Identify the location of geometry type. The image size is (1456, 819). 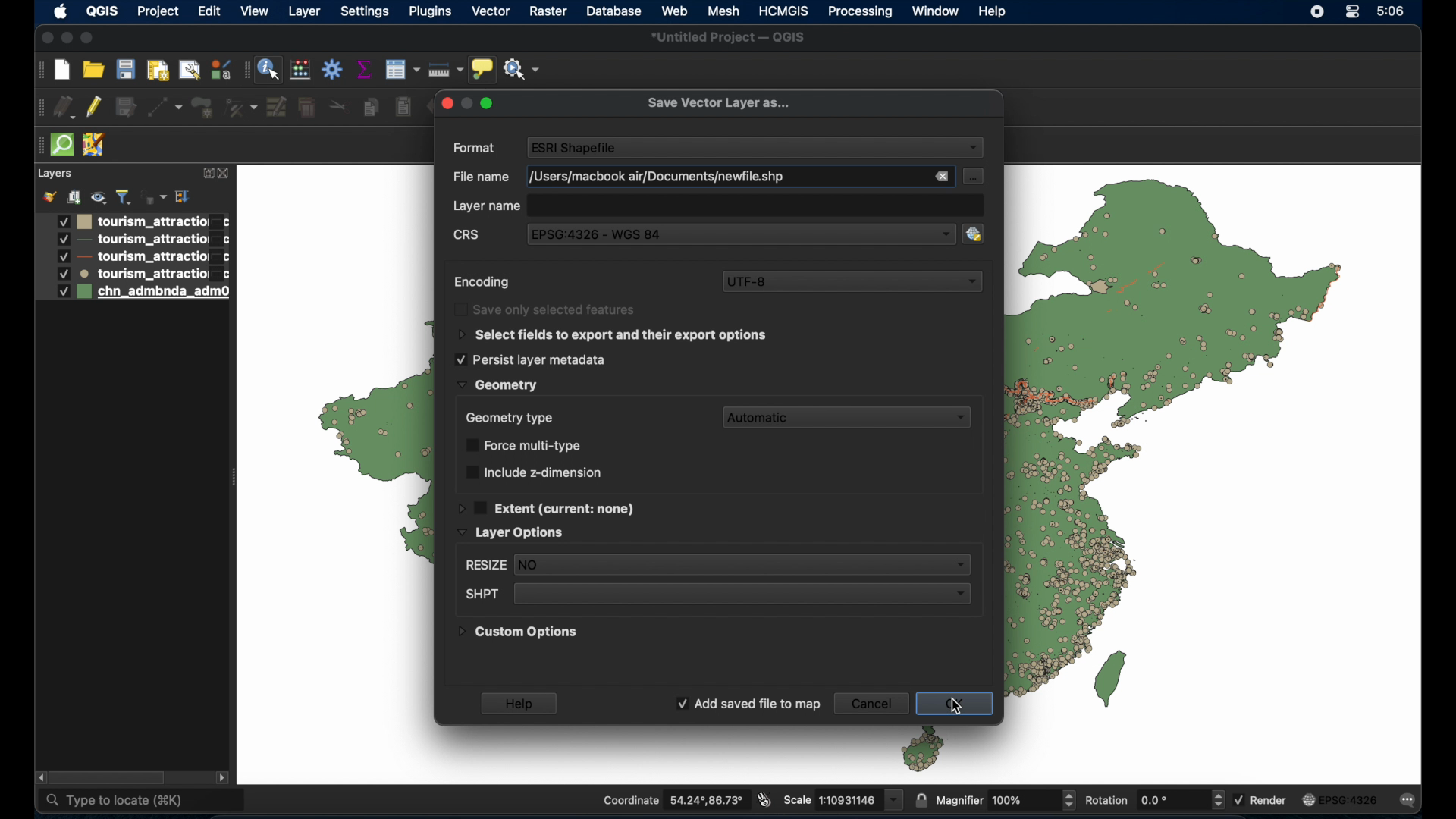
(509, 417).